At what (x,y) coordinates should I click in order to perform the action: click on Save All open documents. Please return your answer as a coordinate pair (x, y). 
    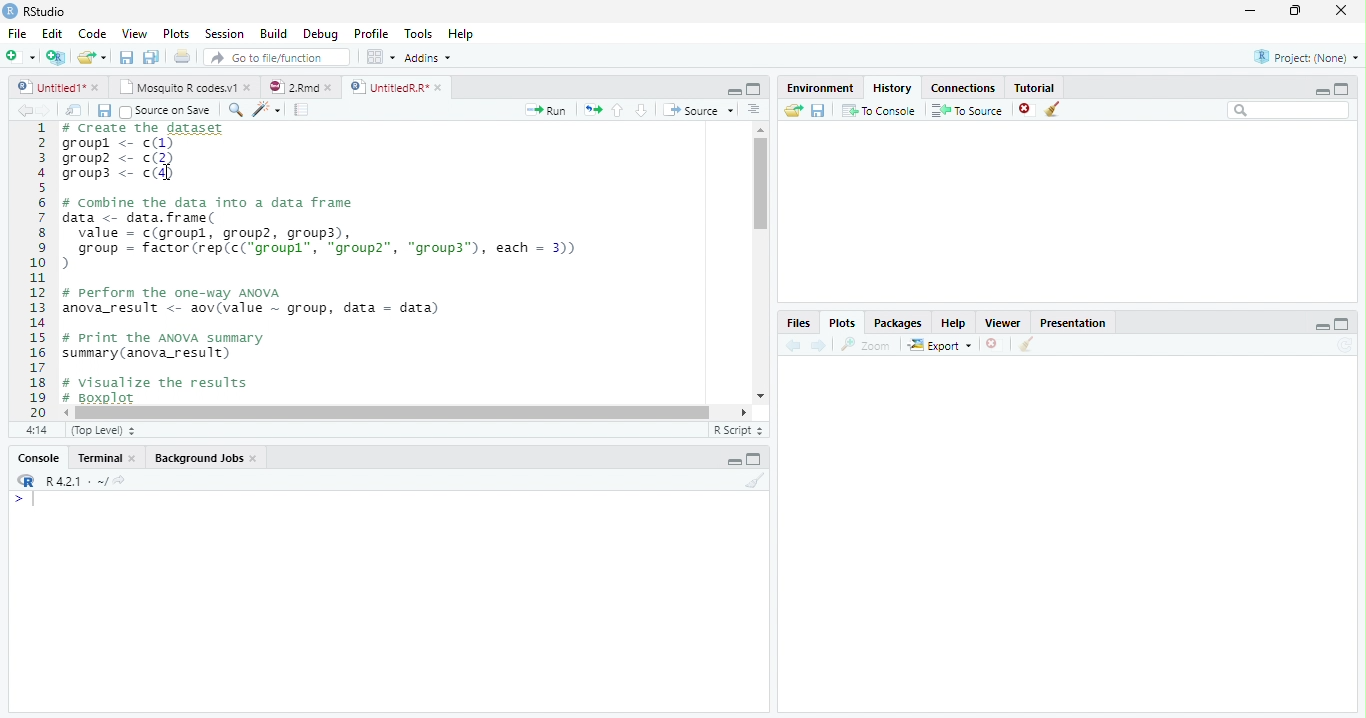
    Looking at the image, I should click on (150, 57).